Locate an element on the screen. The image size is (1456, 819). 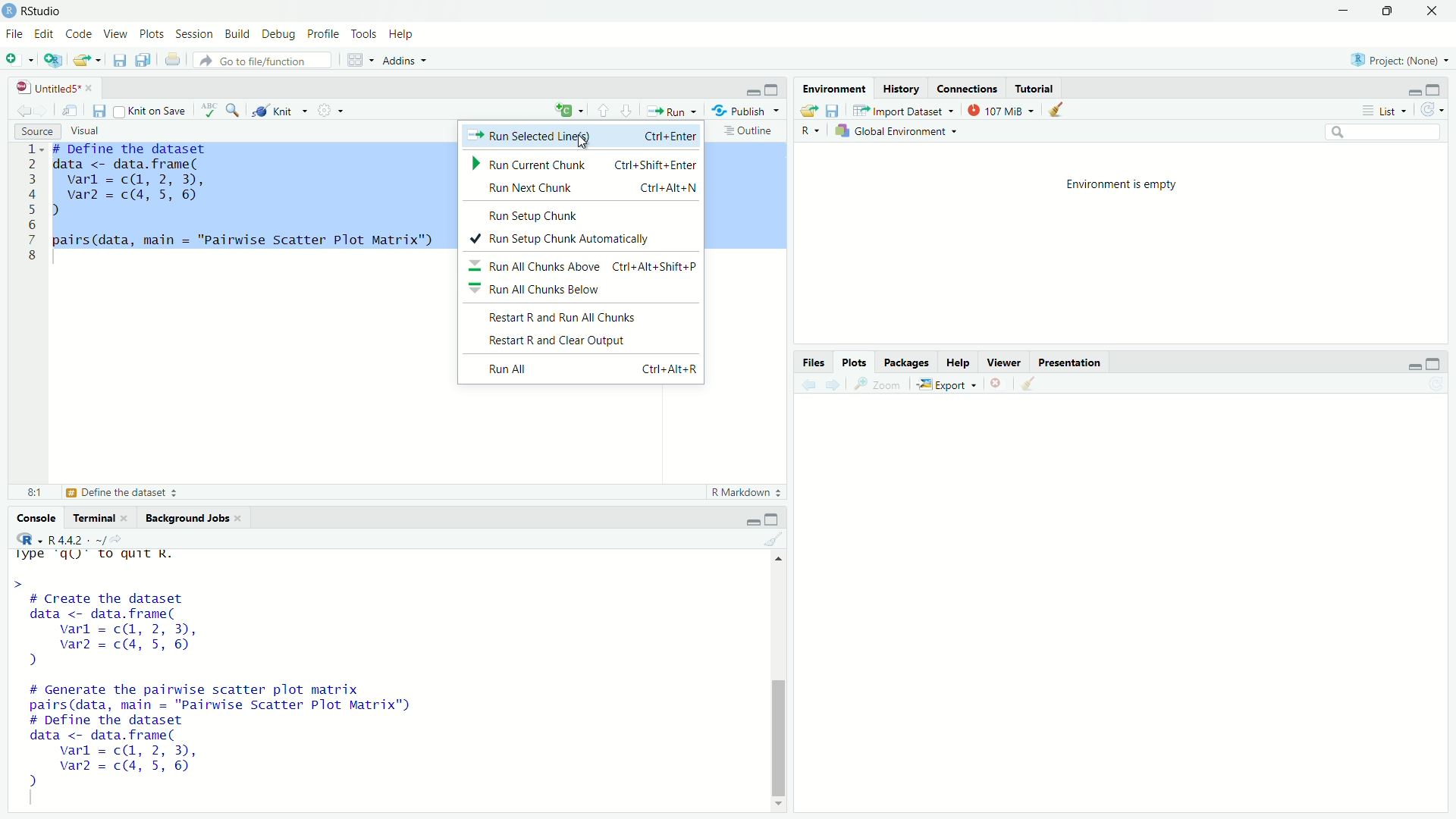
Find/Replace  is located at coordinates (233, 109).